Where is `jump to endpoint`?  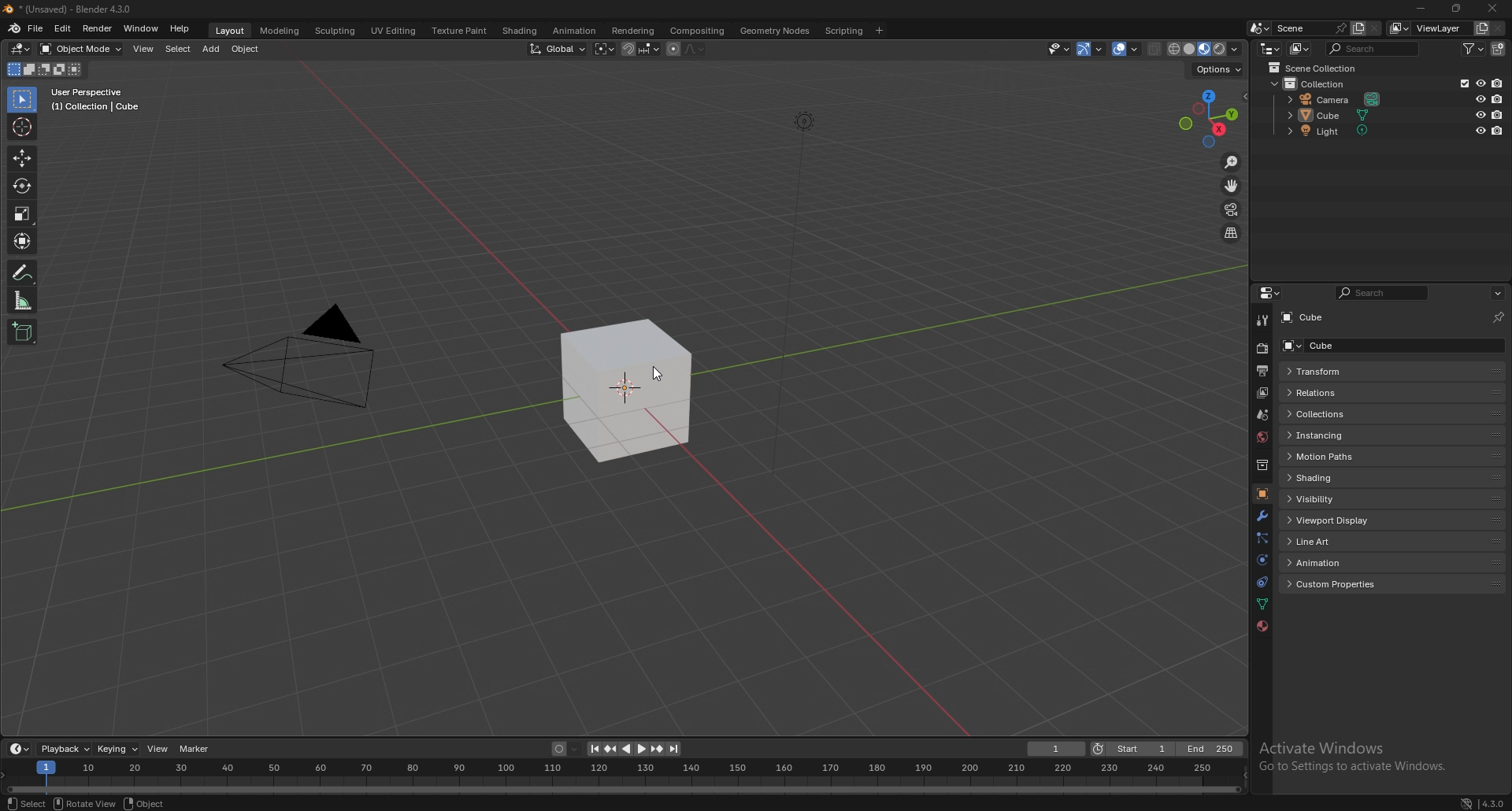
jump to endpoint is located at coordinates (676, 749).